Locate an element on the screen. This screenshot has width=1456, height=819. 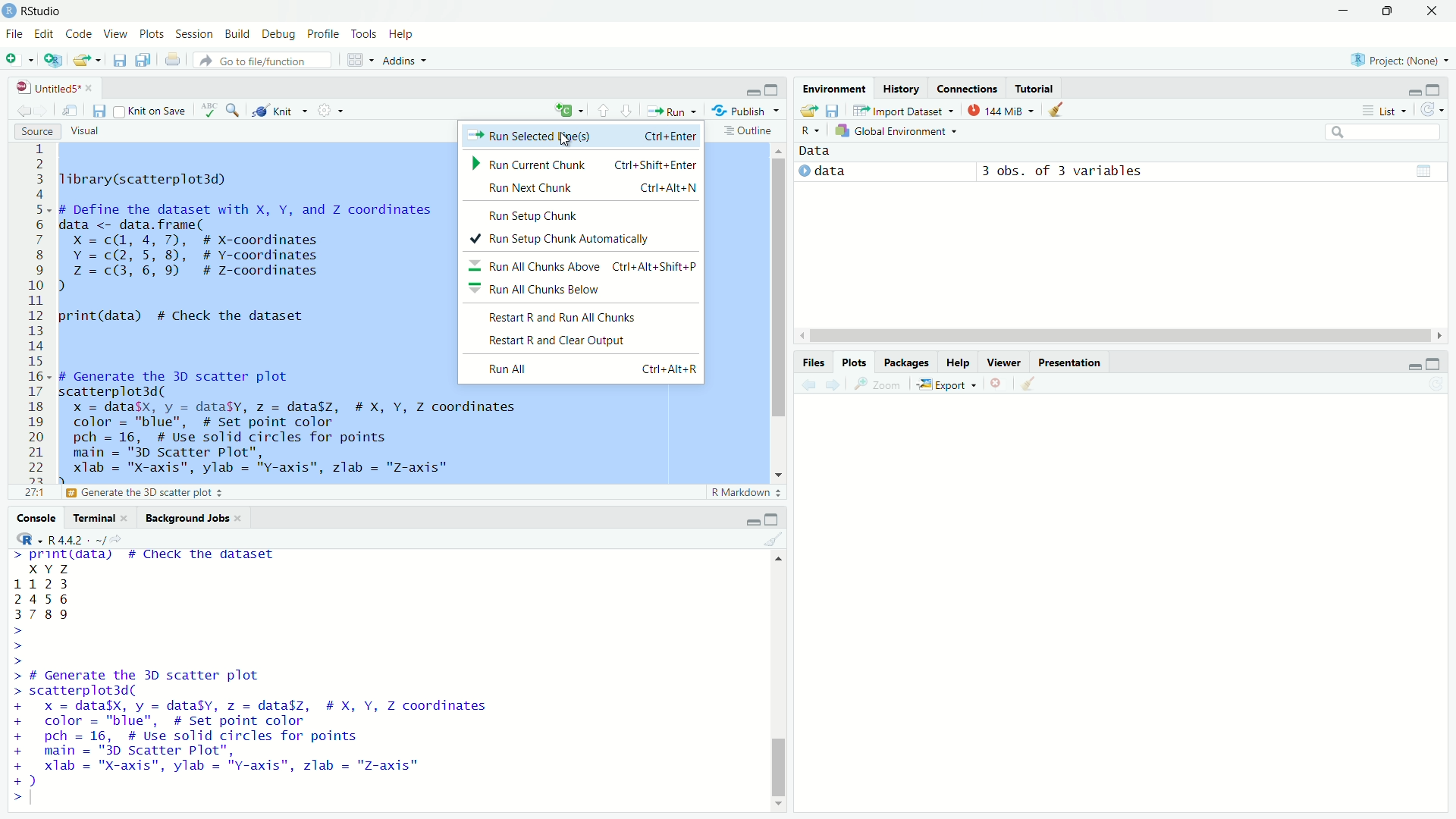
show in new window is located at coordinates (70, 111).